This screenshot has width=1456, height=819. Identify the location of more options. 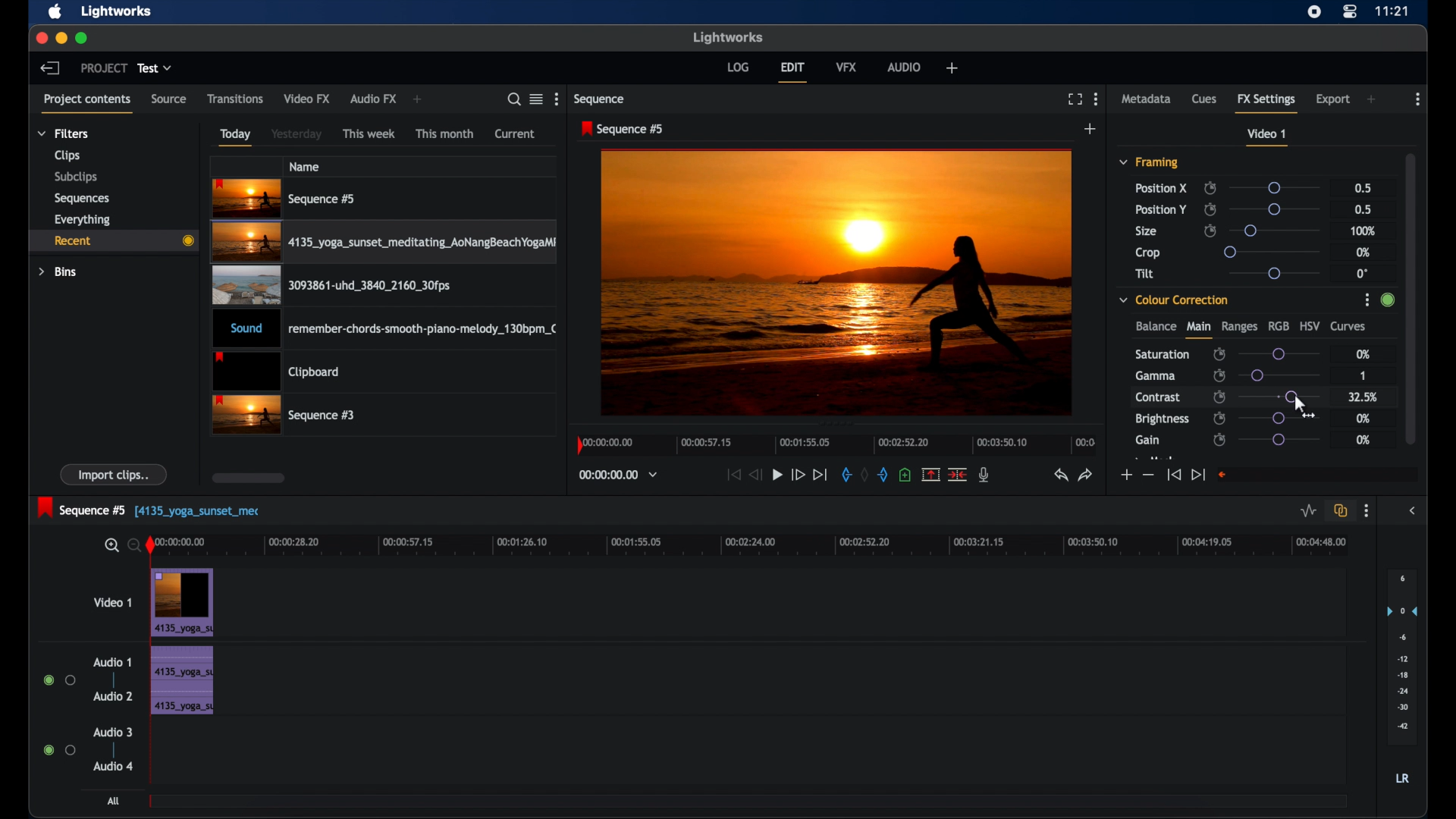
(1418, 99).